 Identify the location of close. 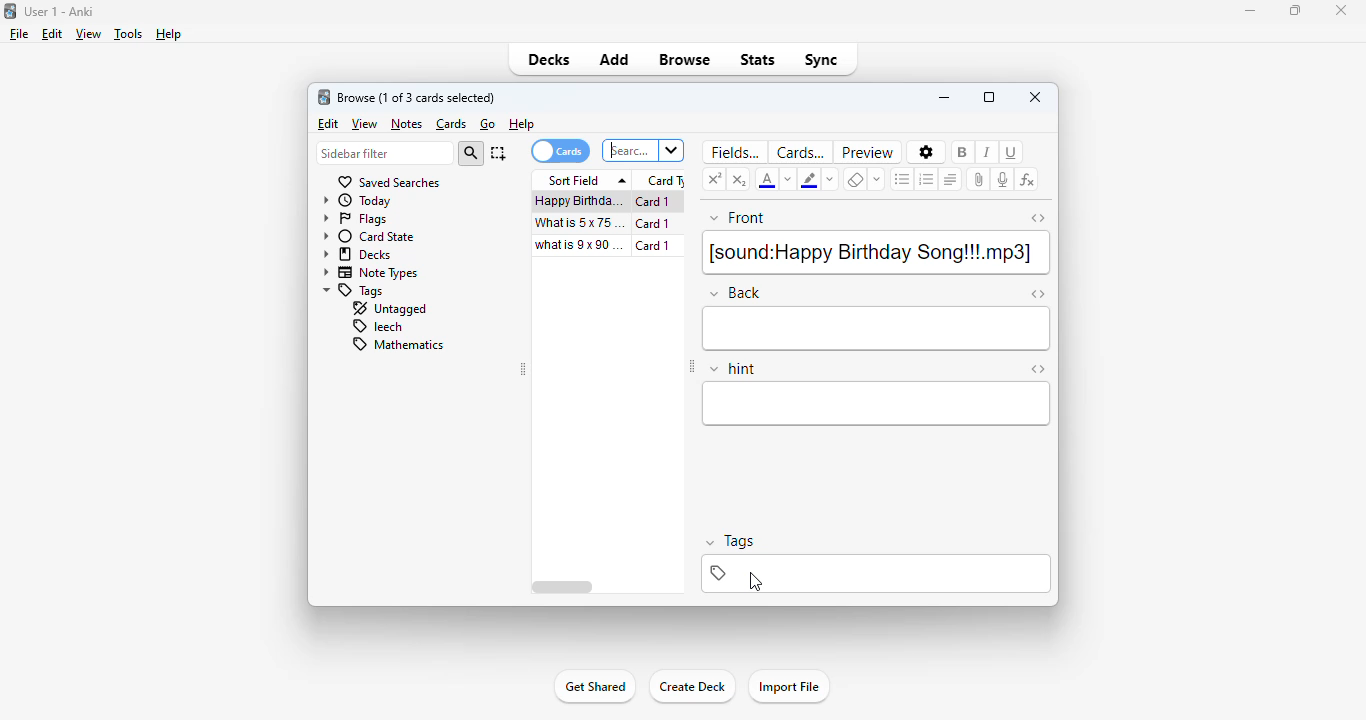
(1035, 97).